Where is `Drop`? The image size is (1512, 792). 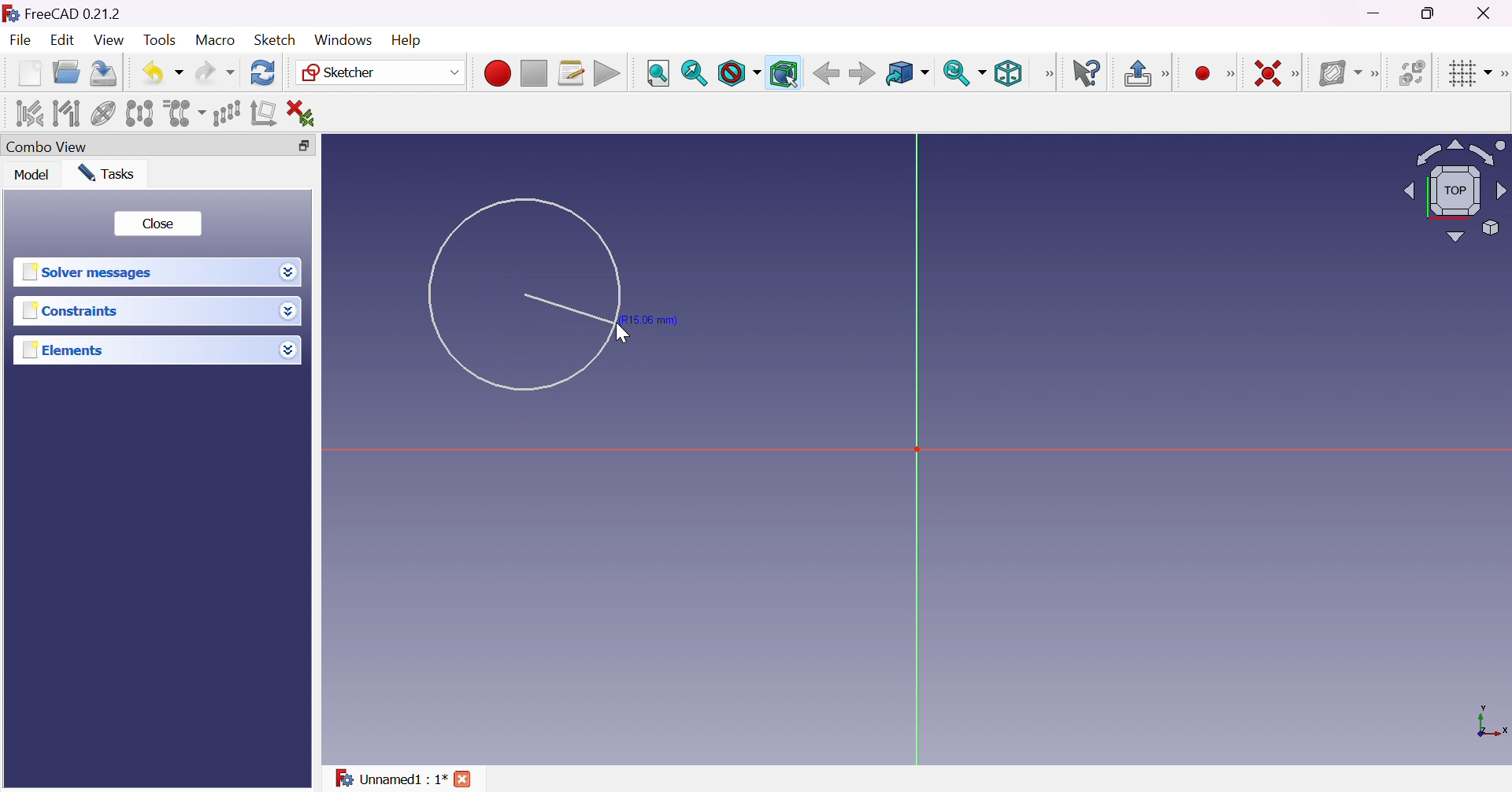 Drop is located at coordinates (291, 313).